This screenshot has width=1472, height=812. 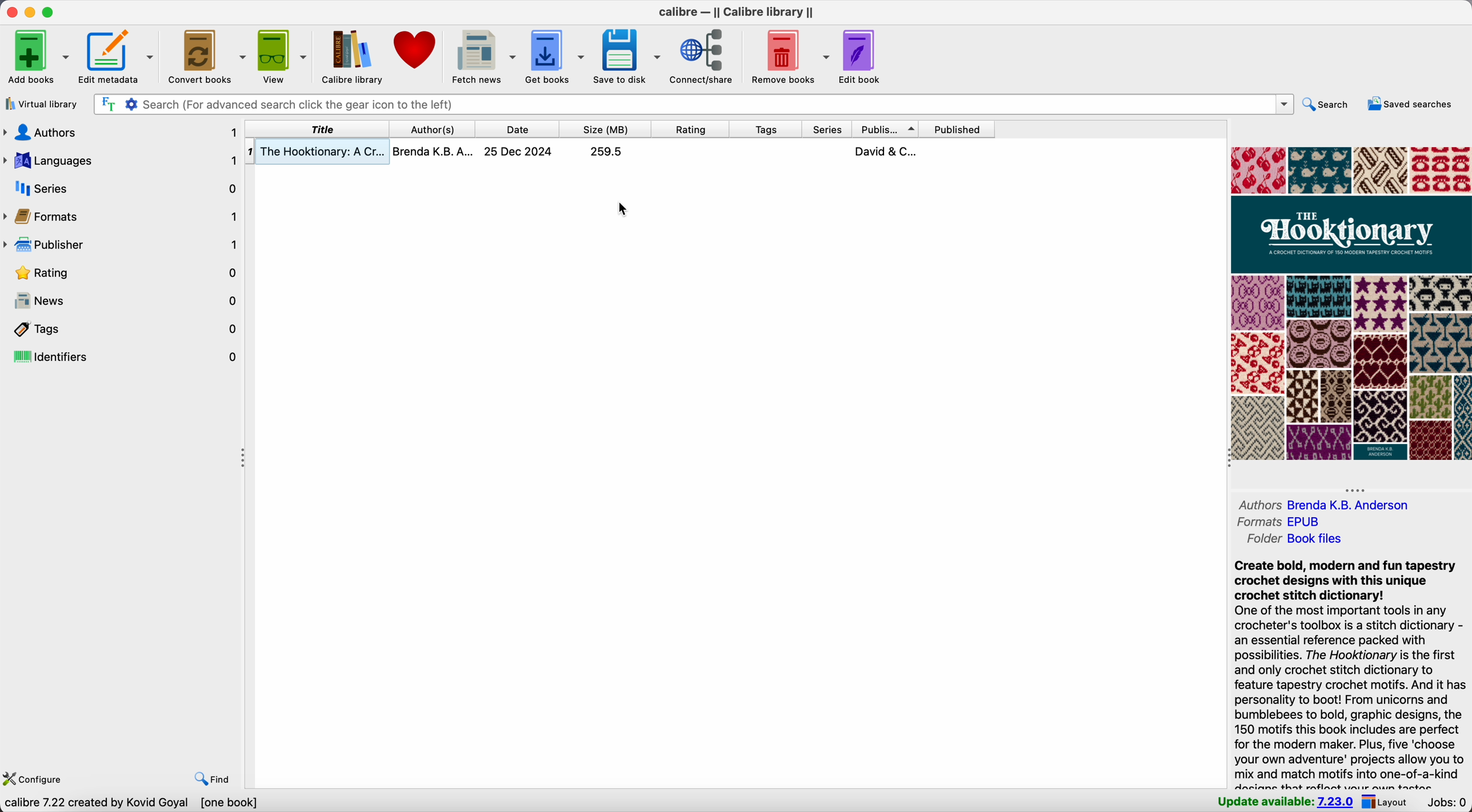 What do you see at coordinates (49, 11) in the screenshot?
I see `maximize` at bounding box center [49, 11].